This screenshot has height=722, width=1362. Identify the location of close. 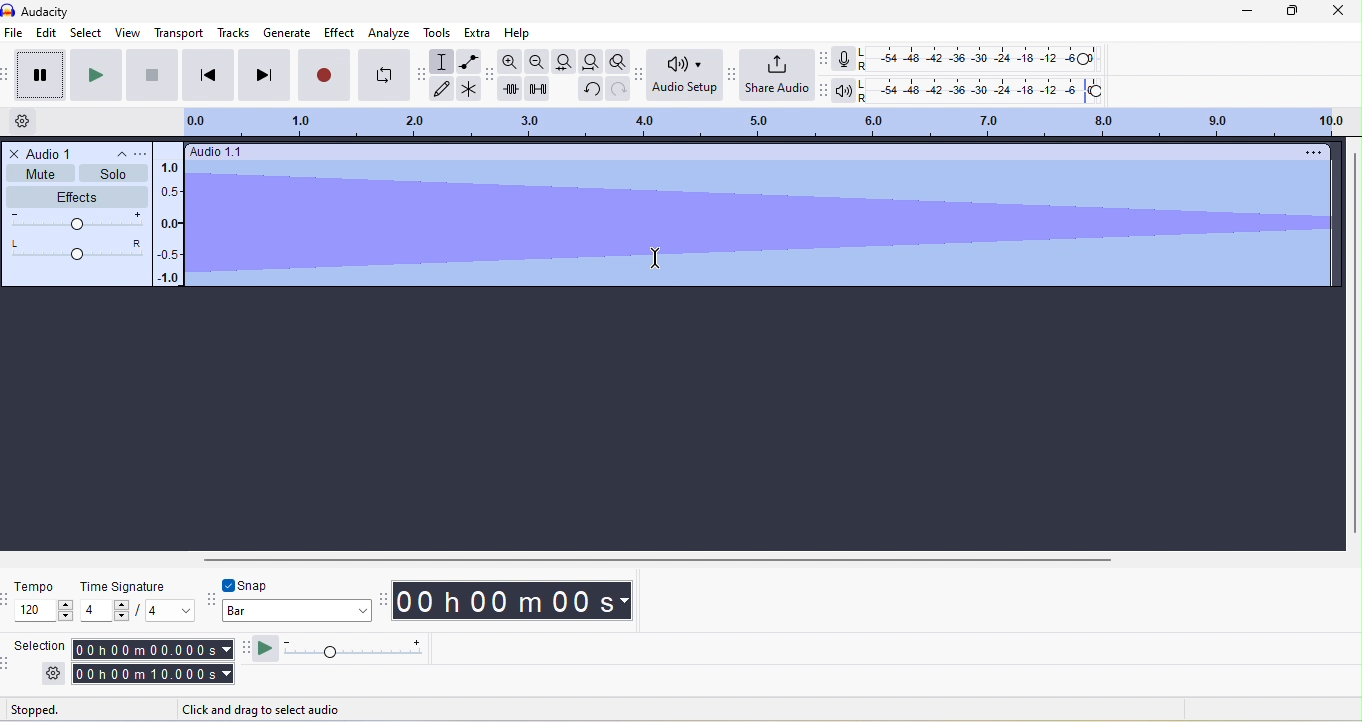
(15, 153).